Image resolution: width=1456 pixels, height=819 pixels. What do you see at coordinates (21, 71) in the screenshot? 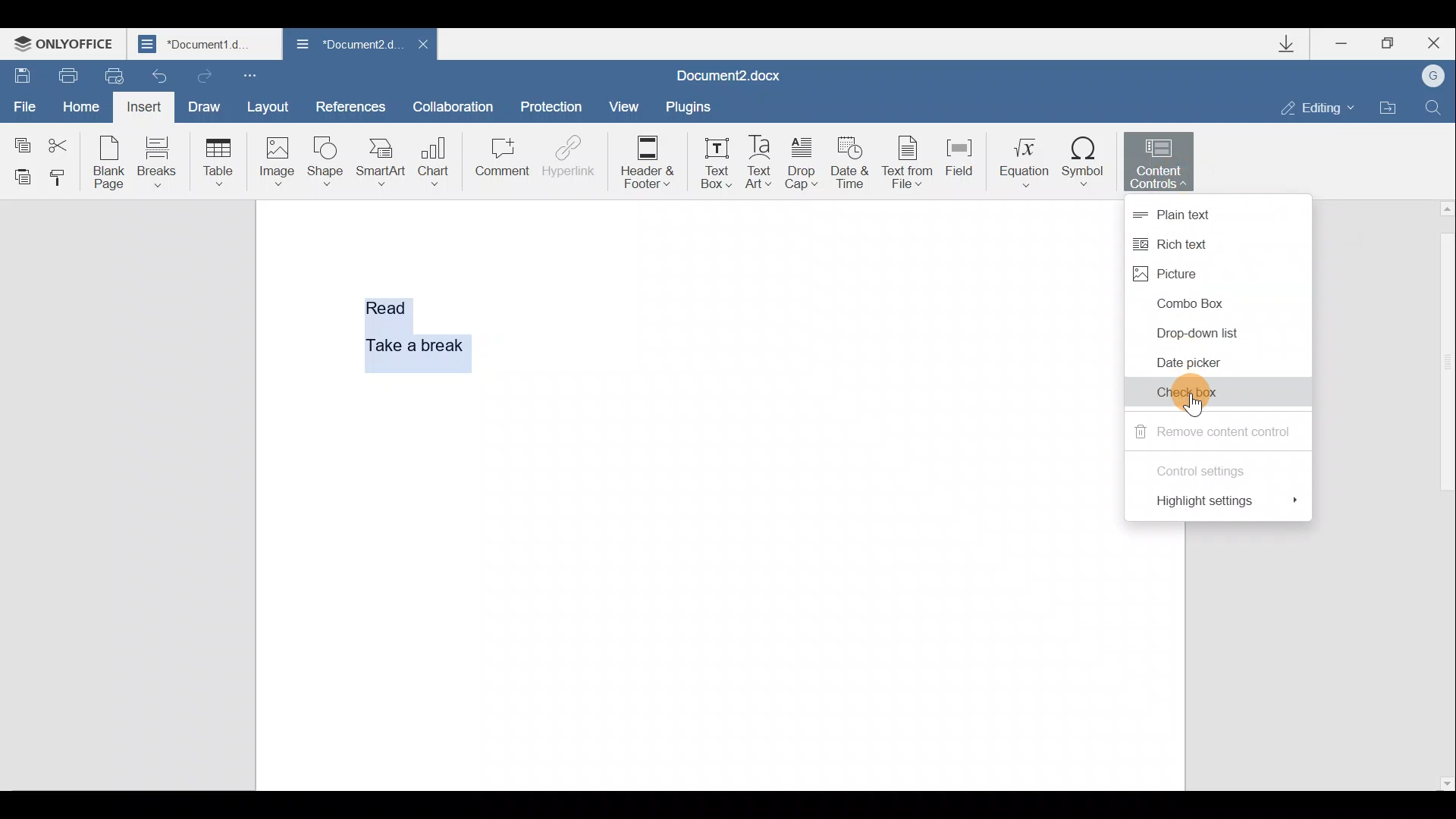
I see `Save` at bounding box center [21, 71].